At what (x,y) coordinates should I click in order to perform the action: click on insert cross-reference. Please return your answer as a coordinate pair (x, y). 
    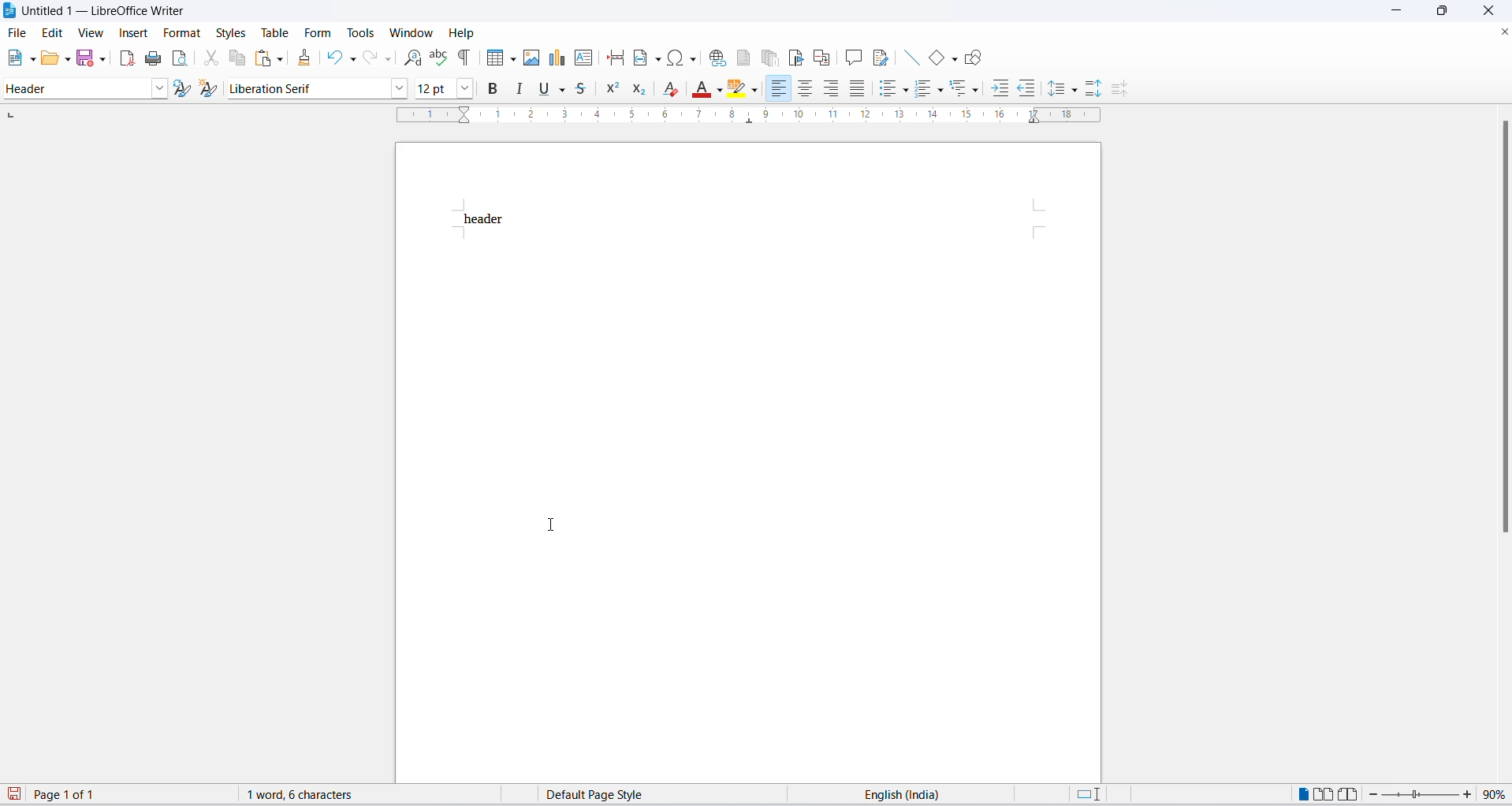
    Looking at the image, I should click on (823, 54).